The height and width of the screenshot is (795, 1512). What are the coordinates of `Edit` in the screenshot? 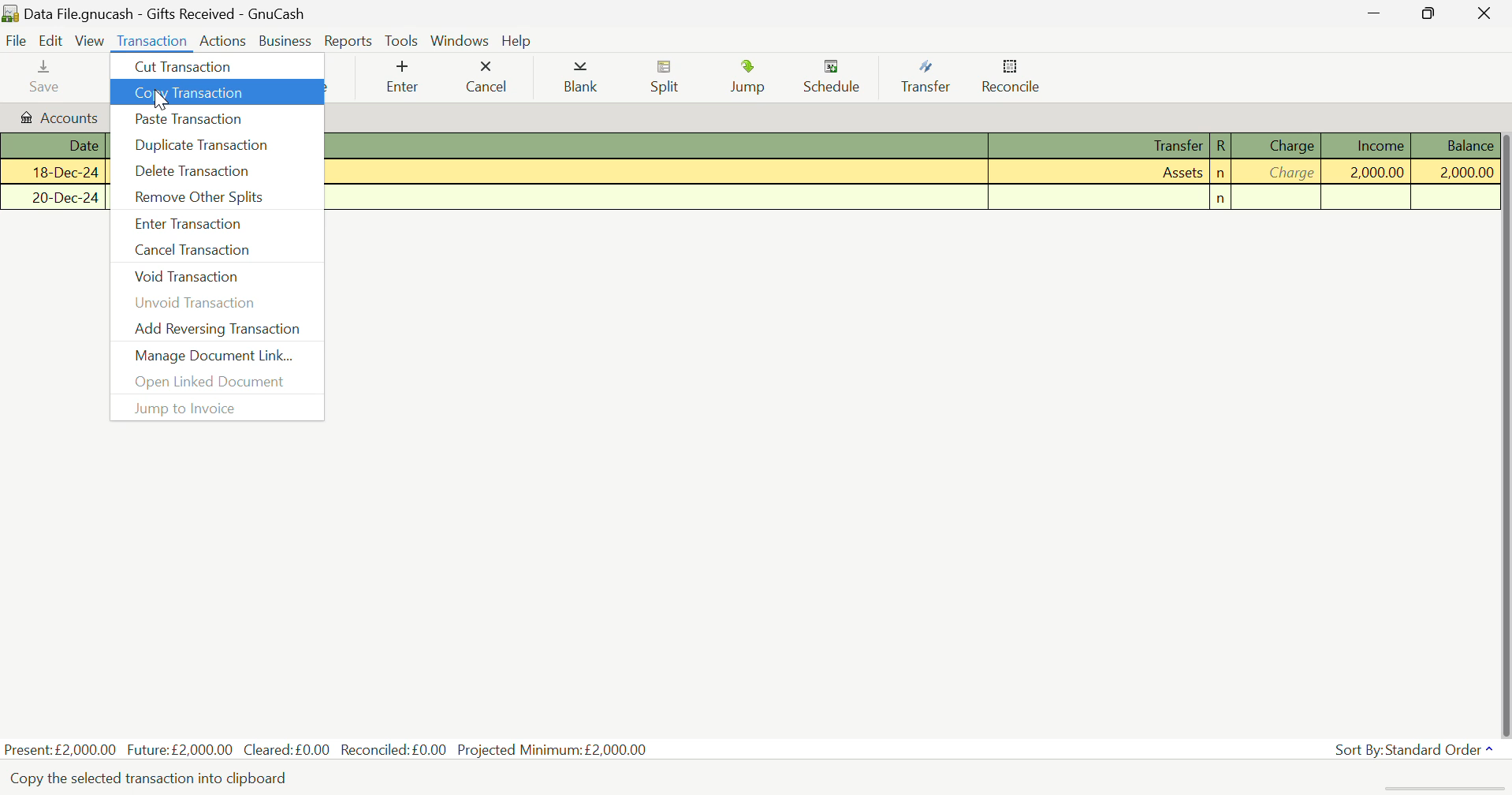 It's located at (54, 41).